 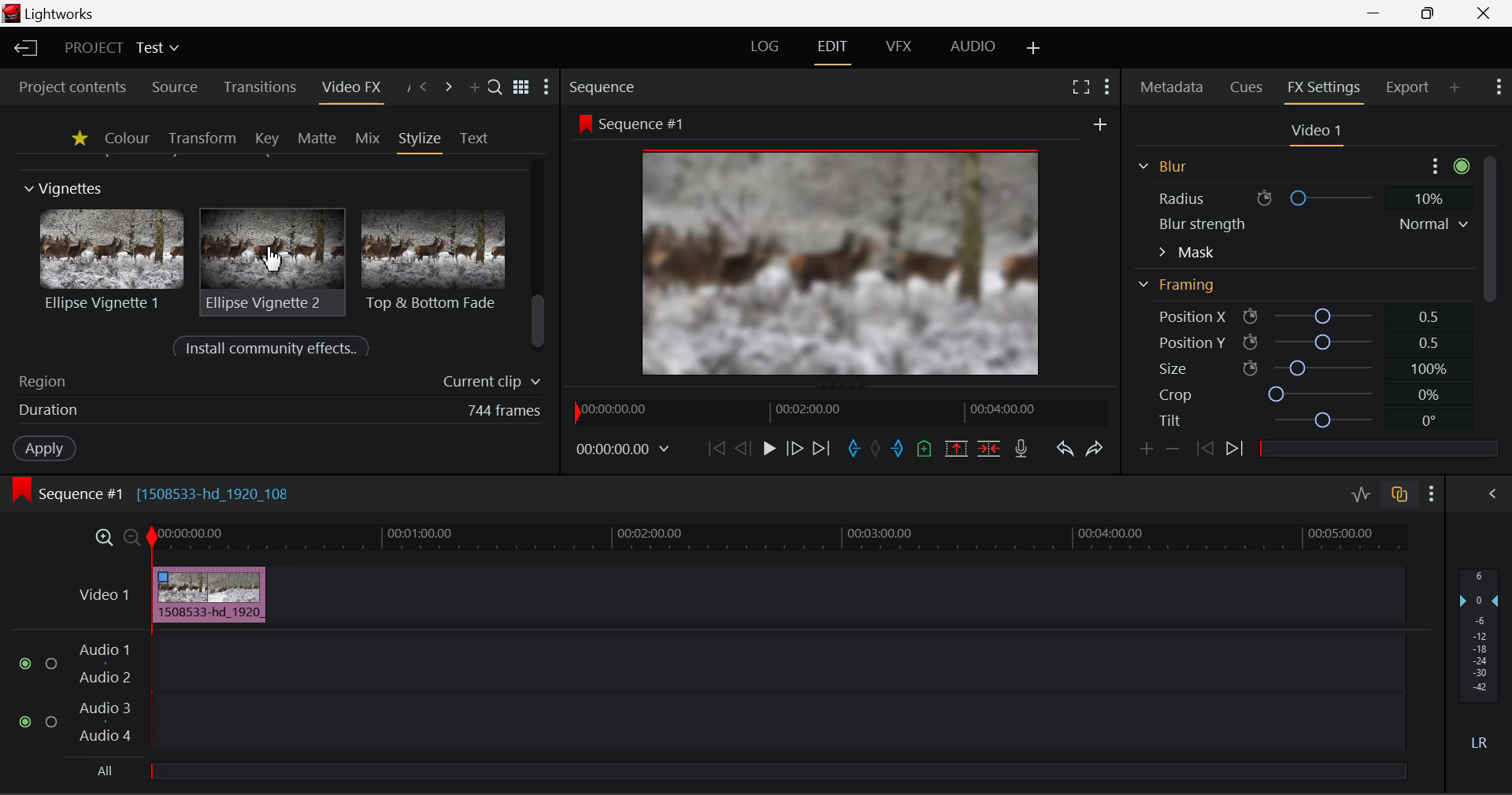 What do you see at coordinates (275, 349) in the screenshot?
I see `Install community effects` at bounding box center [275, 349].